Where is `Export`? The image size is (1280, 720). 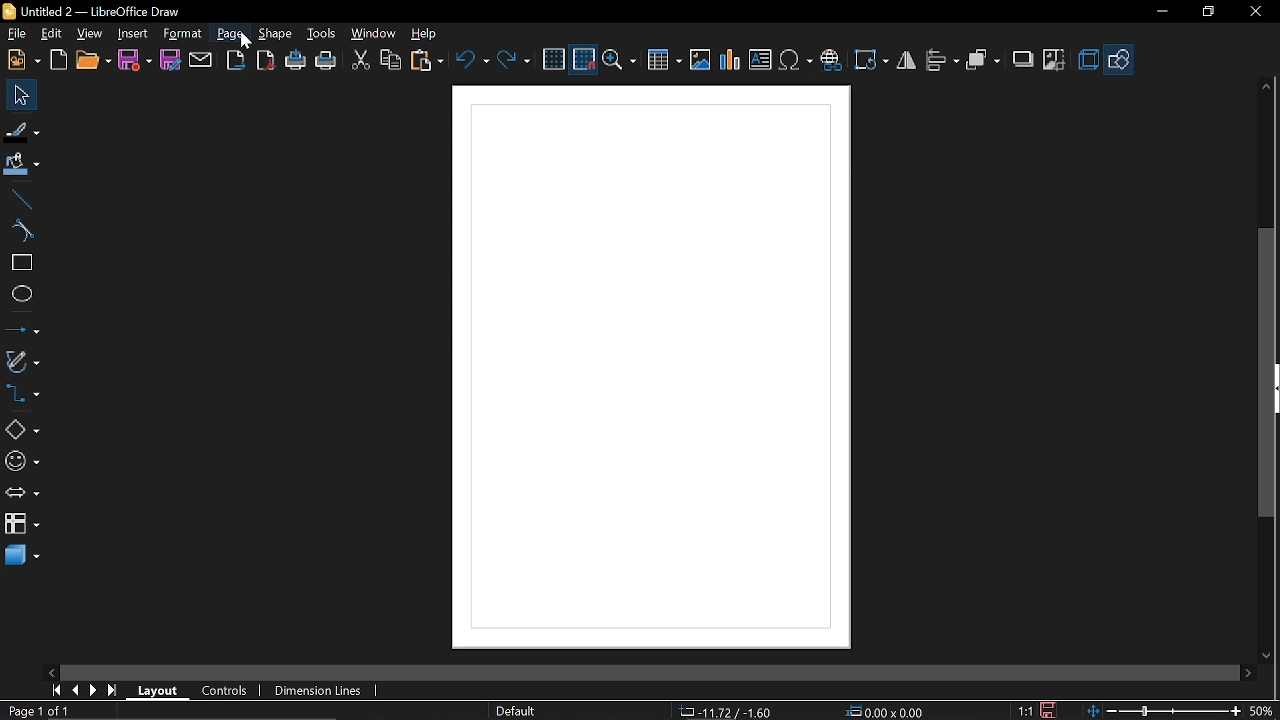
Export is located at coordinates (238, 60).